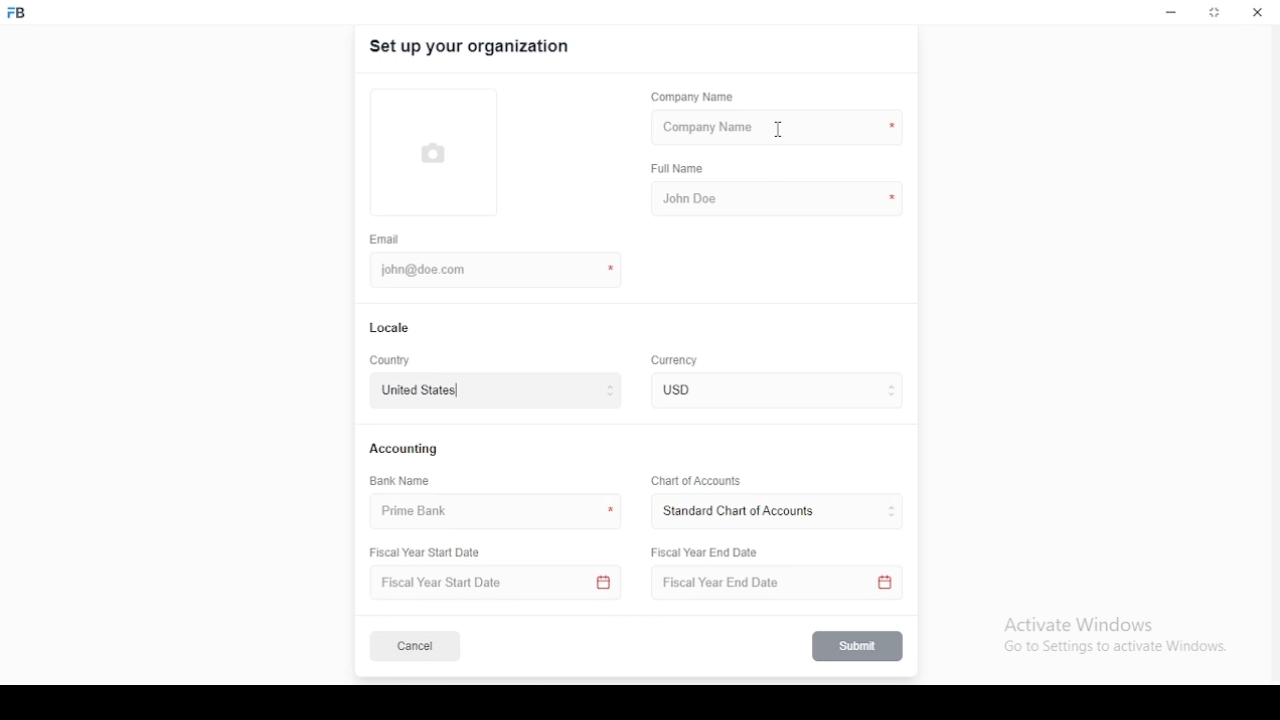  Describe the element at coordinates (439, 148) in the screenshot. I see `logo tumbnail` at that location.